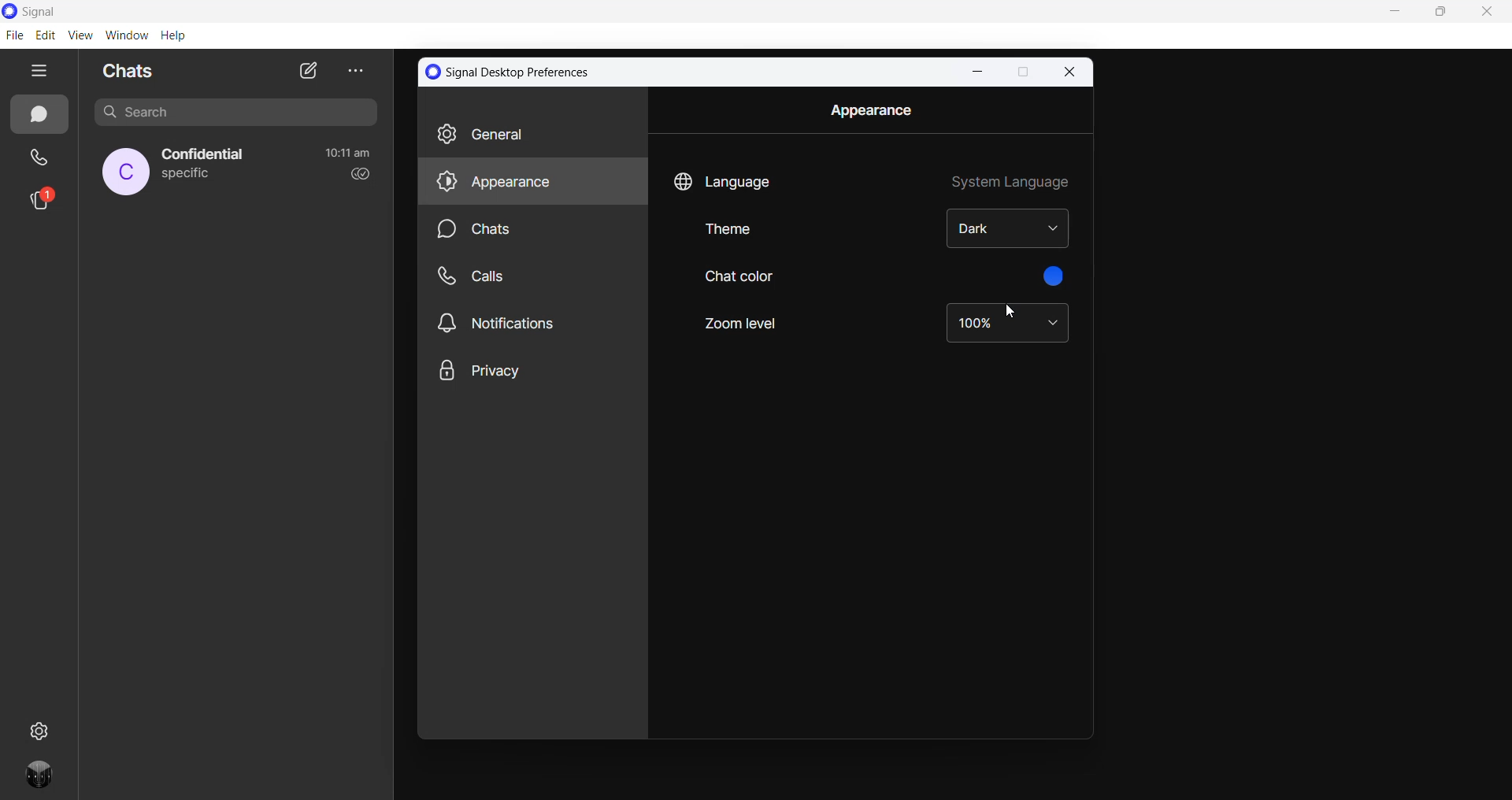 The height and width of the screenshot is (800, 1512). I want to click on chat color options, so click(1058, 278).